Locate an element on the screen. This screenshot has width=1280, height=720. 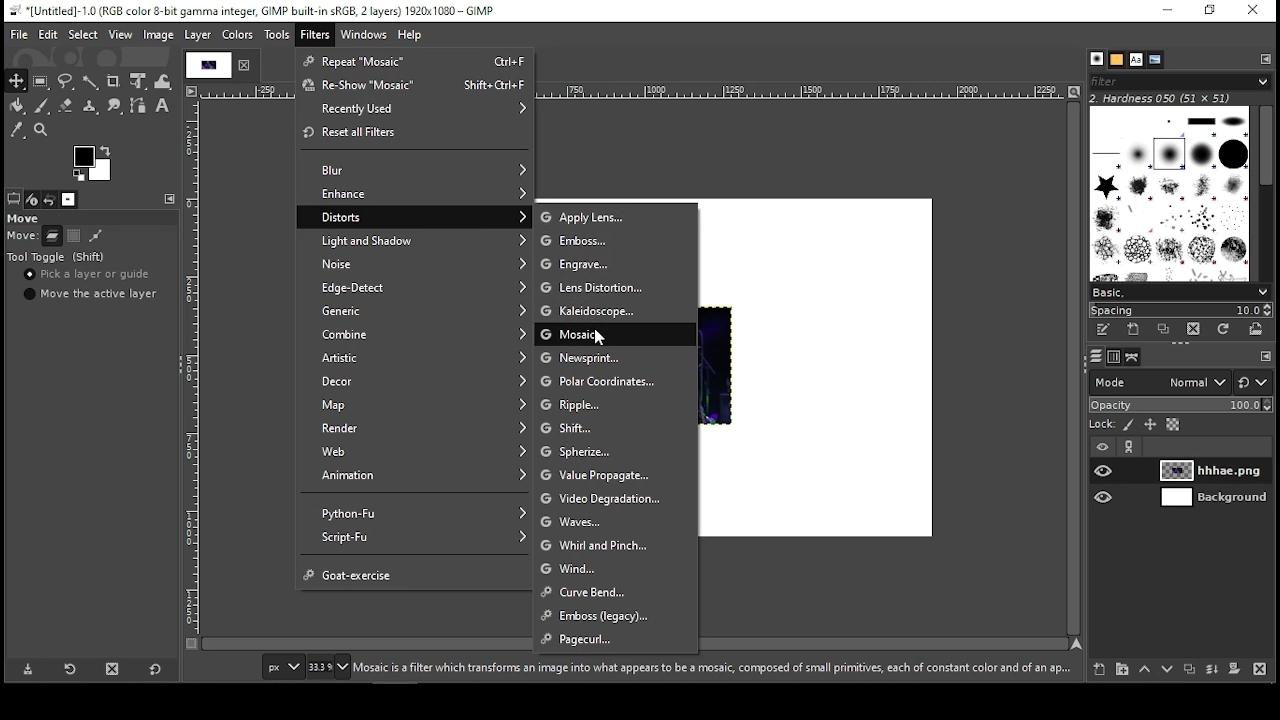
close window is located at coordinates (1254, 10).